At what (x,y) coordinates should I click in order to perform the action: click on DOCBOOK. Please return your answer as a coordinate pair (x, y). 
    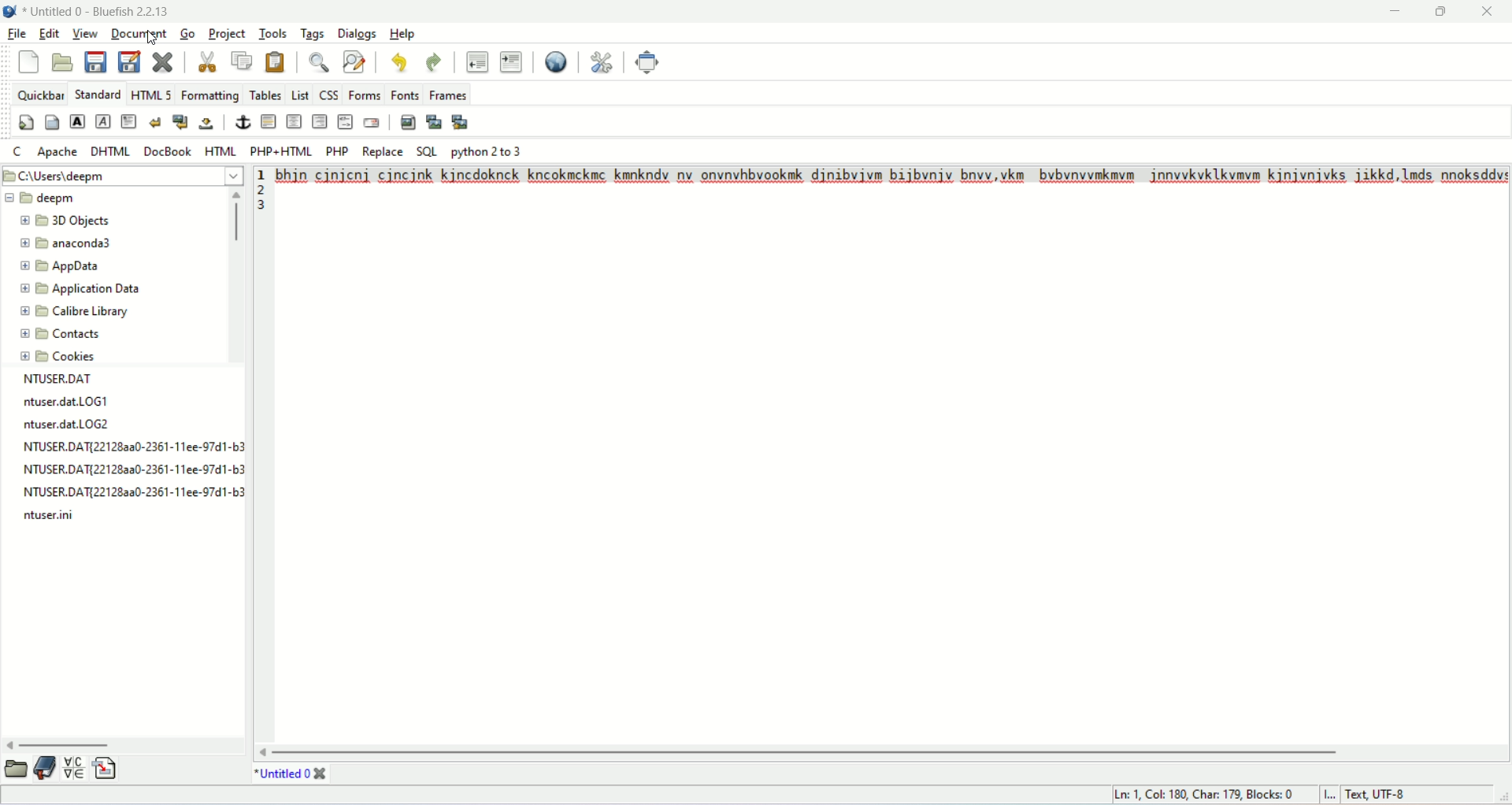
    Looking at the image, I should click on (169, 150).